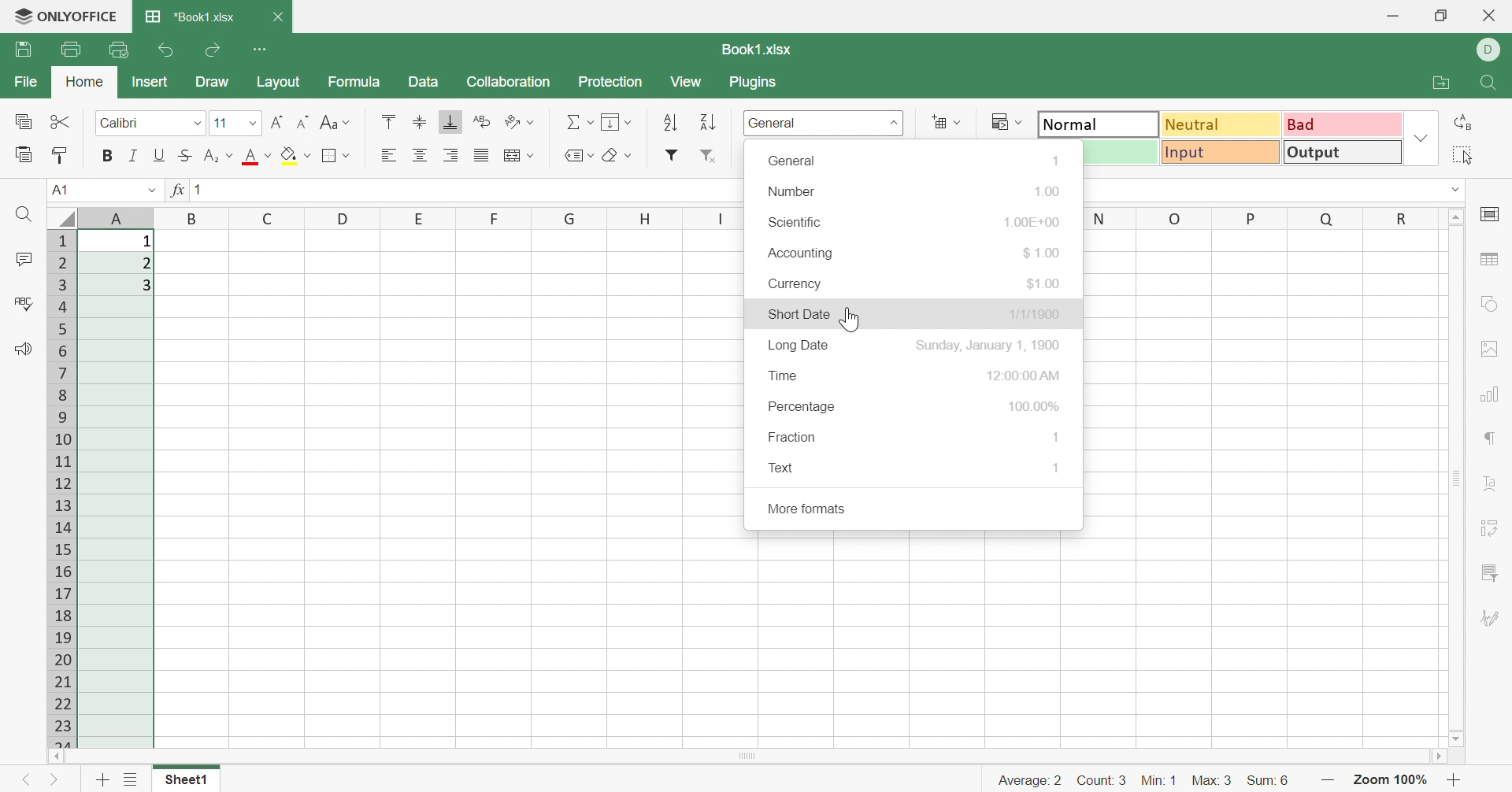 This screenshot has height=792, width=1512. I want to click on Data, so click(424, 81).